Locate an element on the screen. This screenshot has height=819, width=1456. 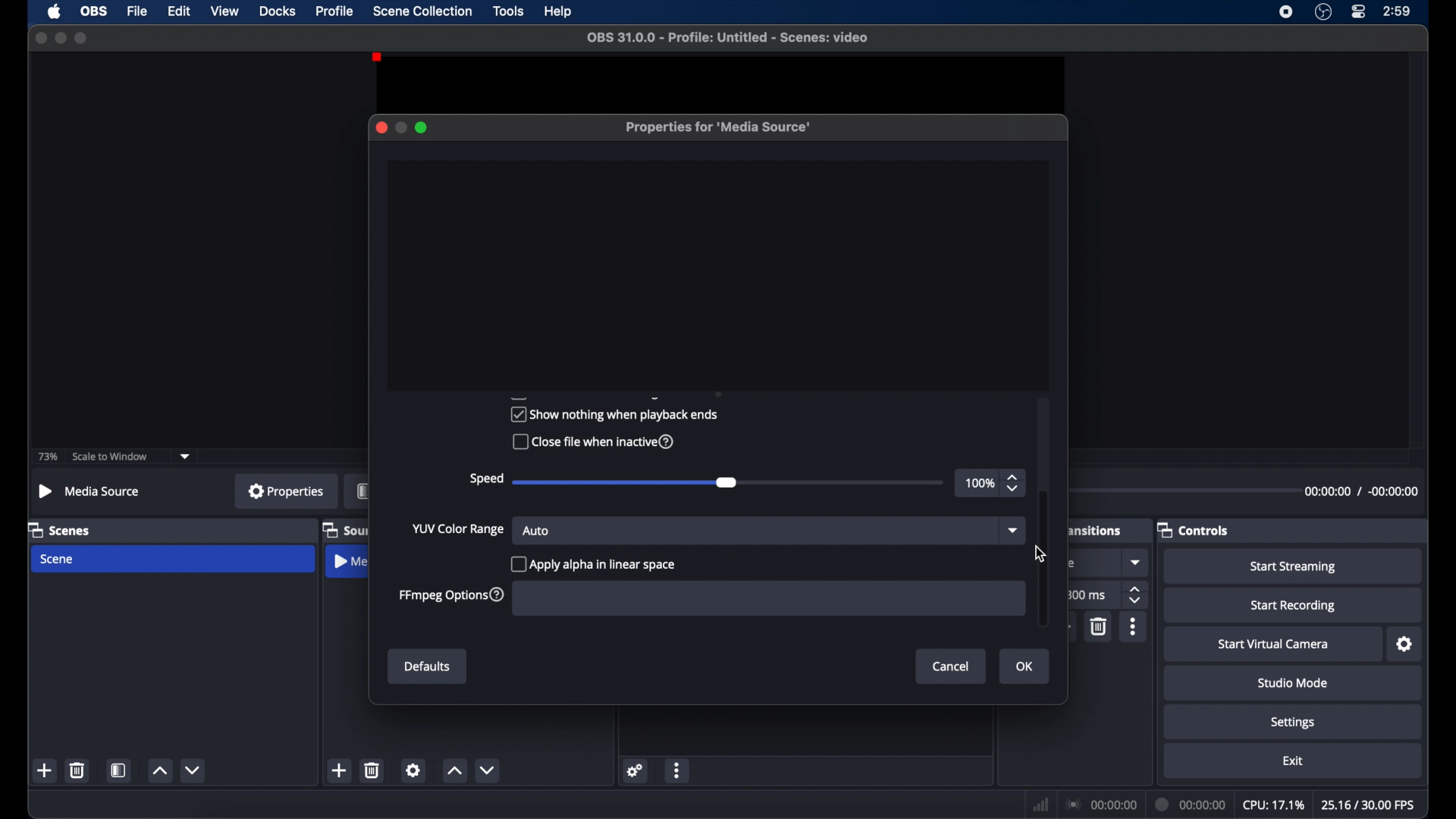
view is located at coordinates (224, 10).